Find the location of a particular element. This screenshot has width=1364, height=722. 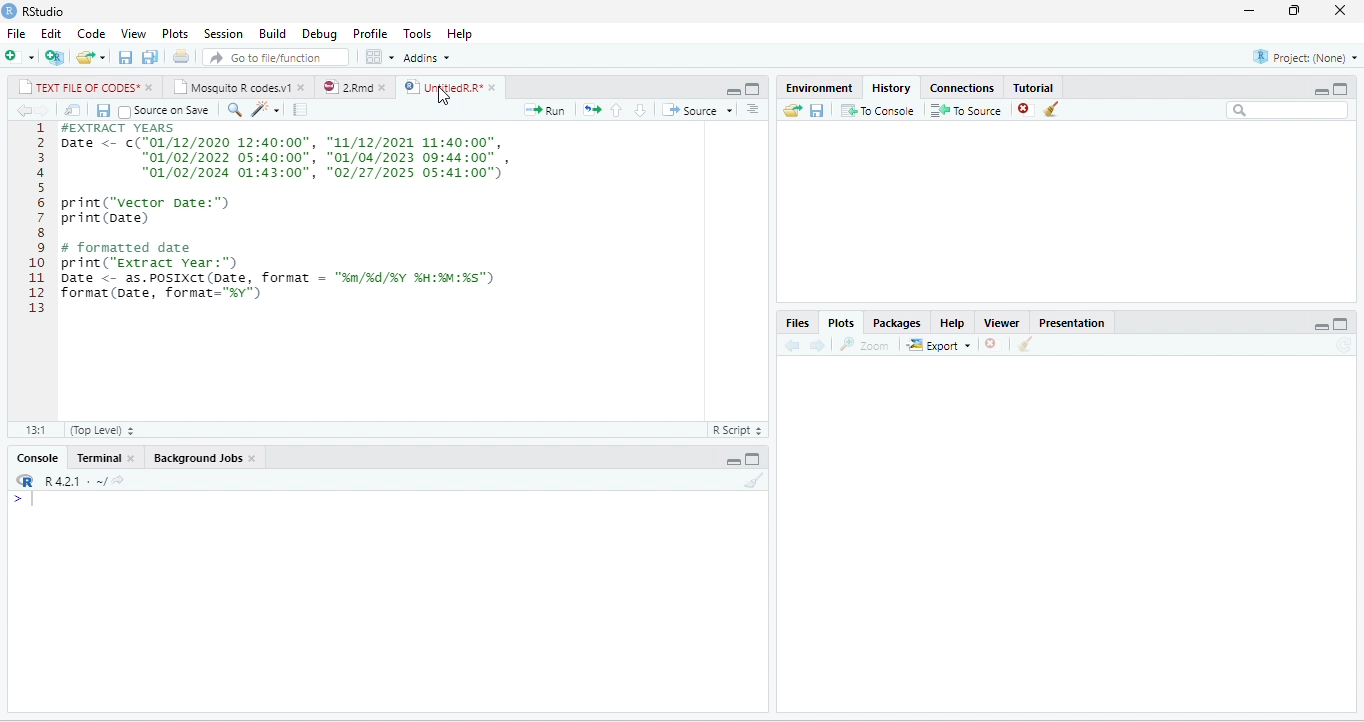

Tools is located at coordinates (419, 34).